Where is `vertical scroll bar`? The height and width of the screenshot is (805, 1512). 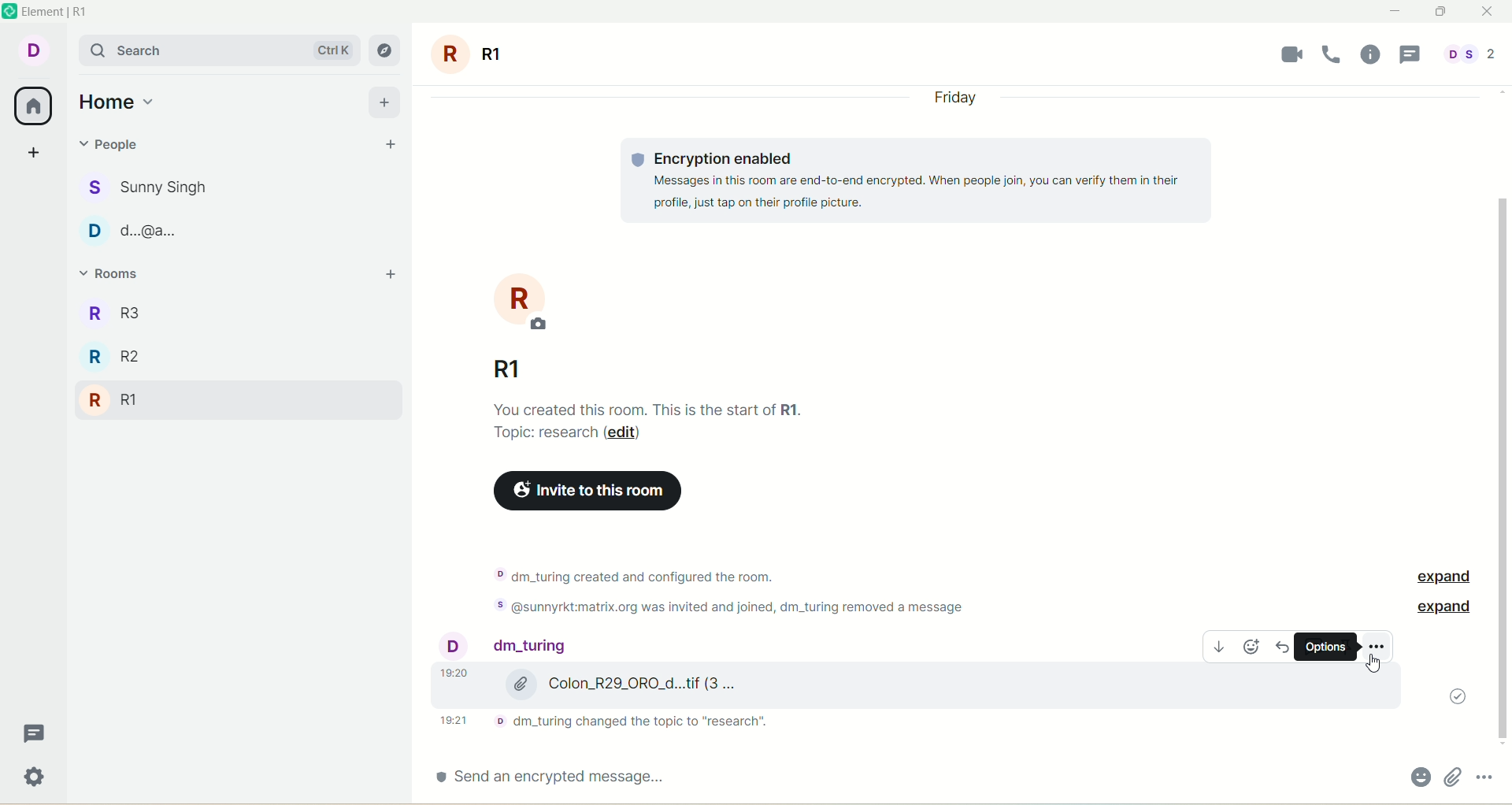 vertical scroll bar is located at coordinates (1503, 421).